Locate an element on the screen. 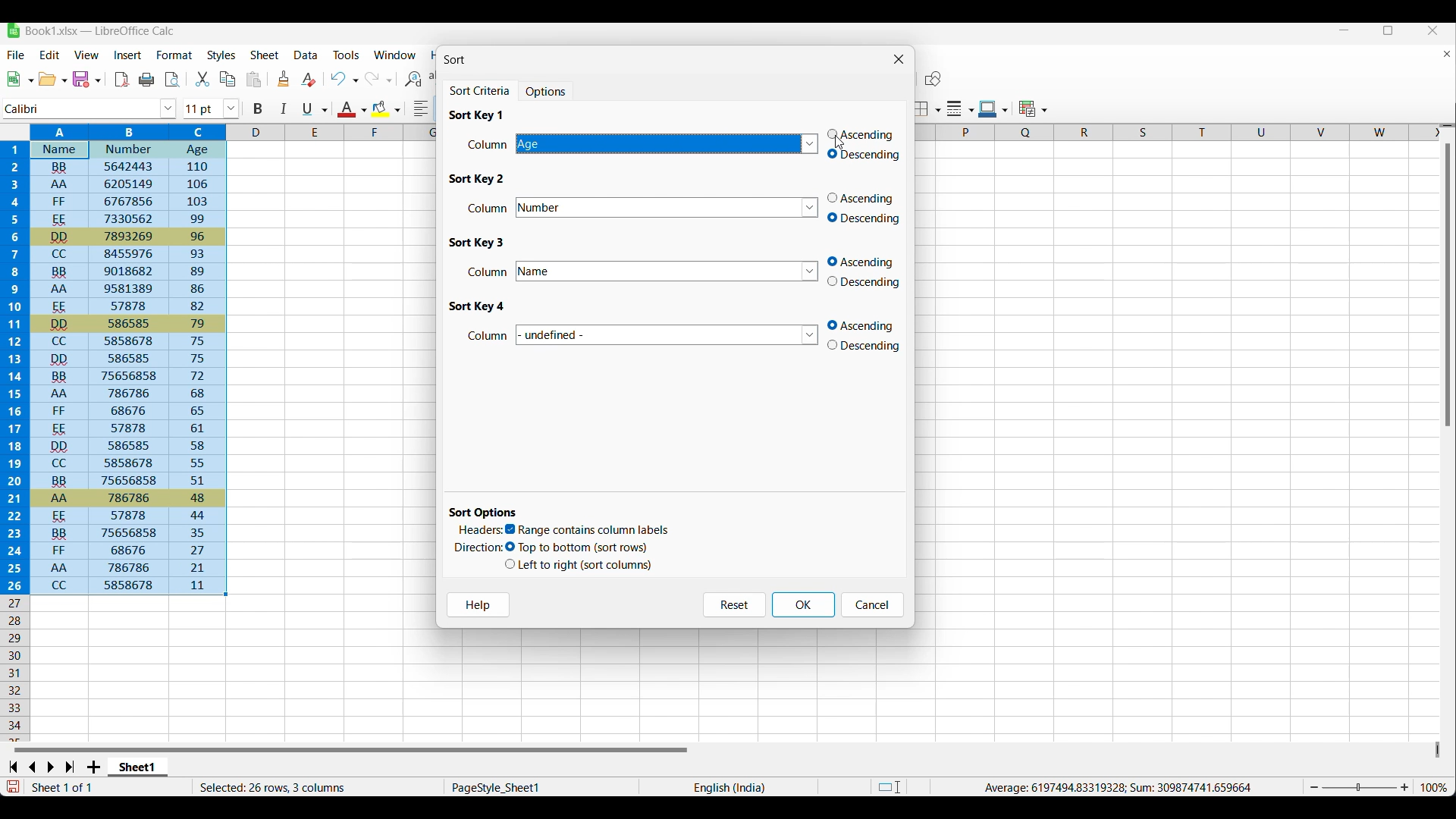  Indicates sort by column is located at coordinates (488, 144).